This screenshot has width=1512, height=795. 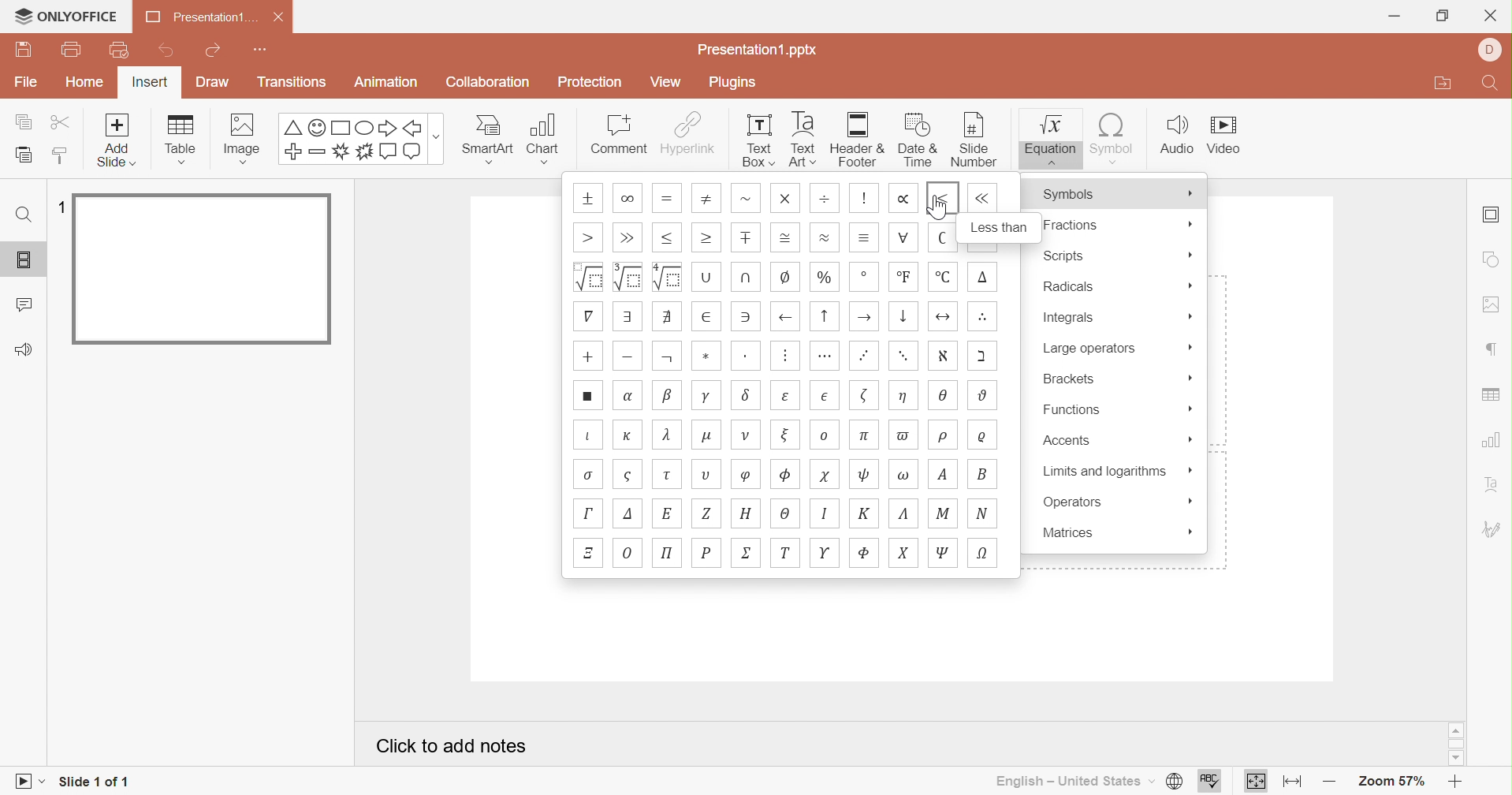 I want to click on Close, so click(x=278, y=18).